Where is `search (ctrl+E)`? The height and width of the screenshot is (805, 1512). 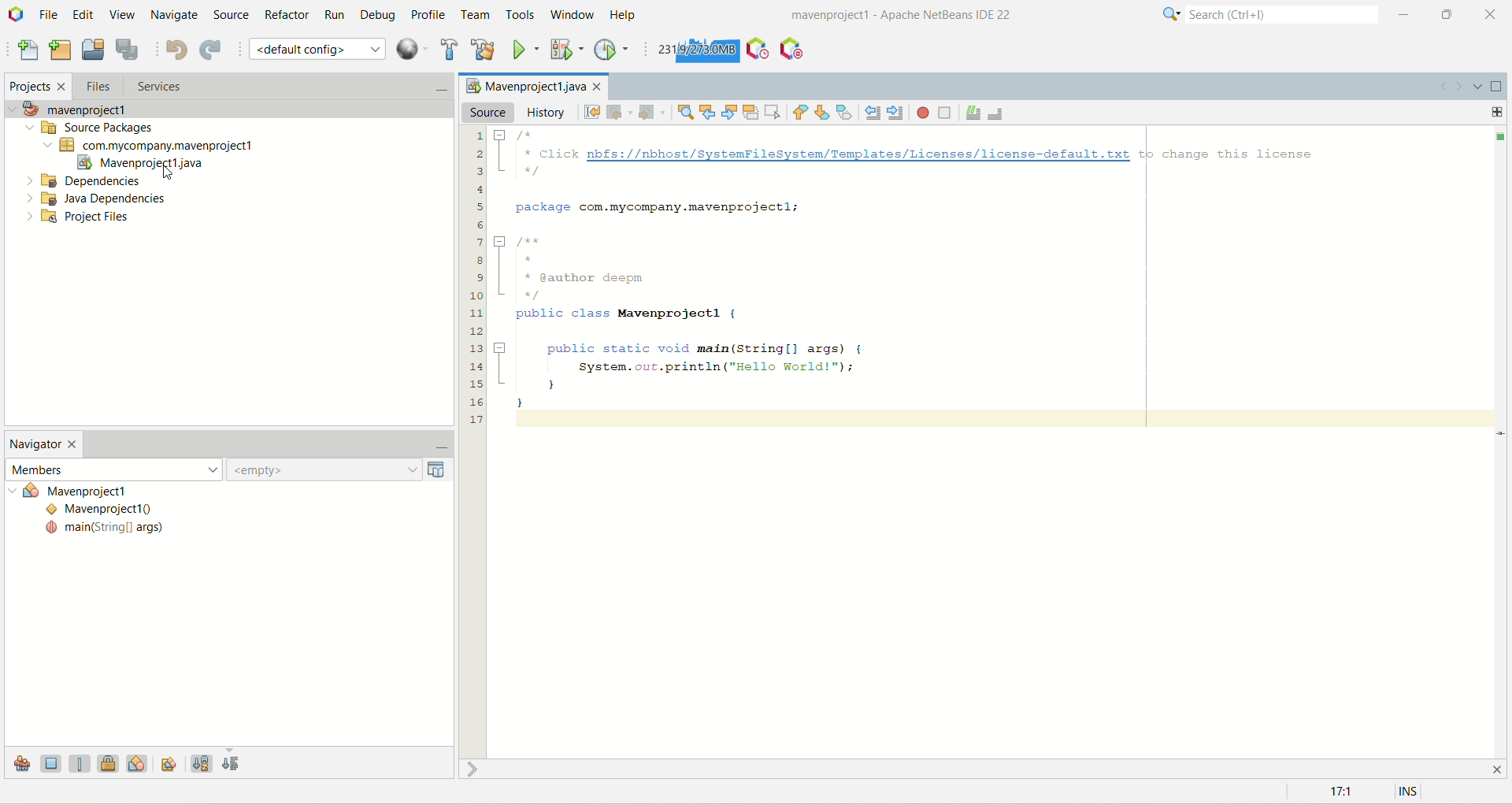
search (ctrl+E) is located at coordinates (1262, 15).